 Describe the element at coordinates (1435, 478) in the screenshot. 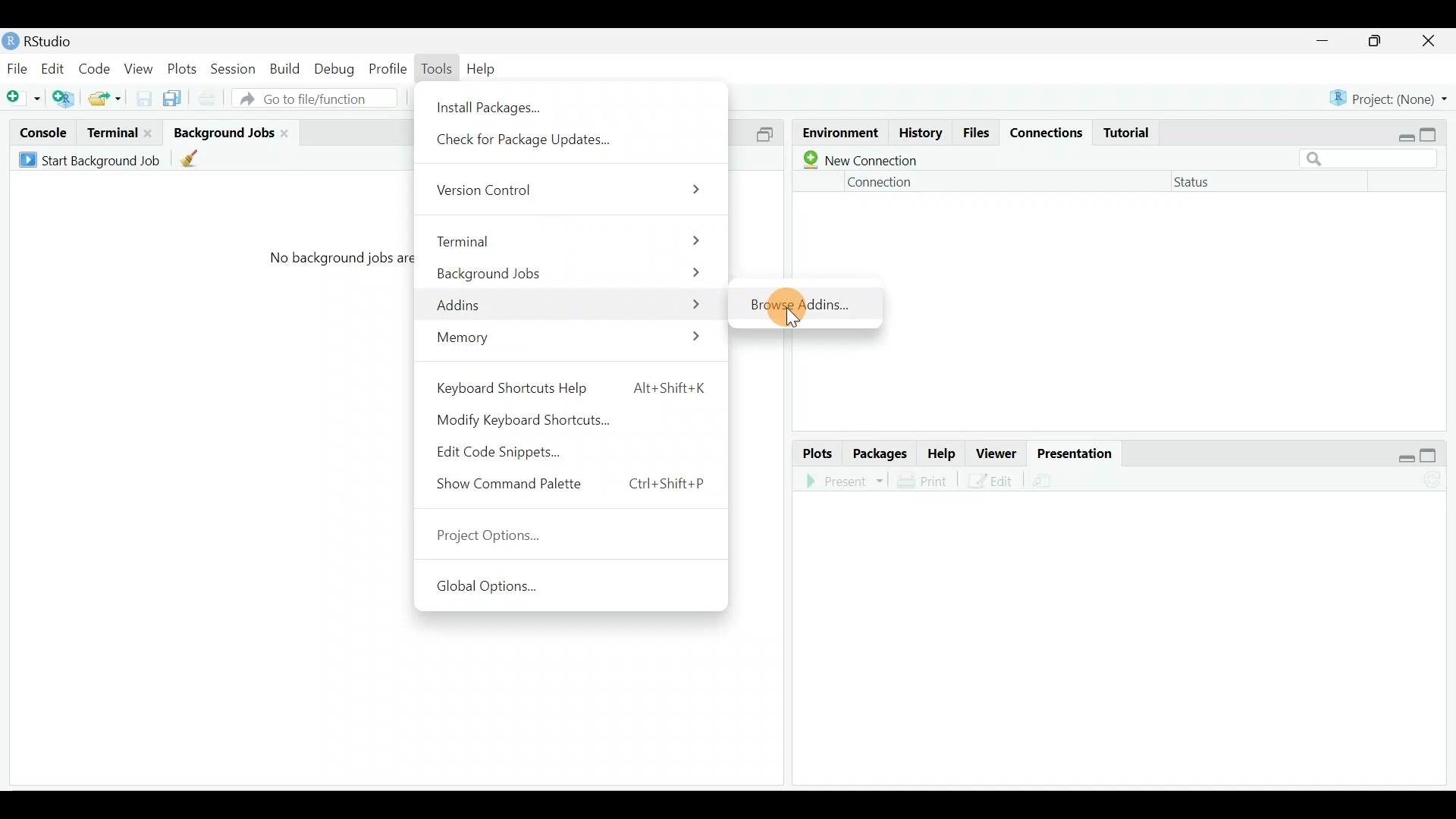

I see `Refresh the presentation view` at that location.